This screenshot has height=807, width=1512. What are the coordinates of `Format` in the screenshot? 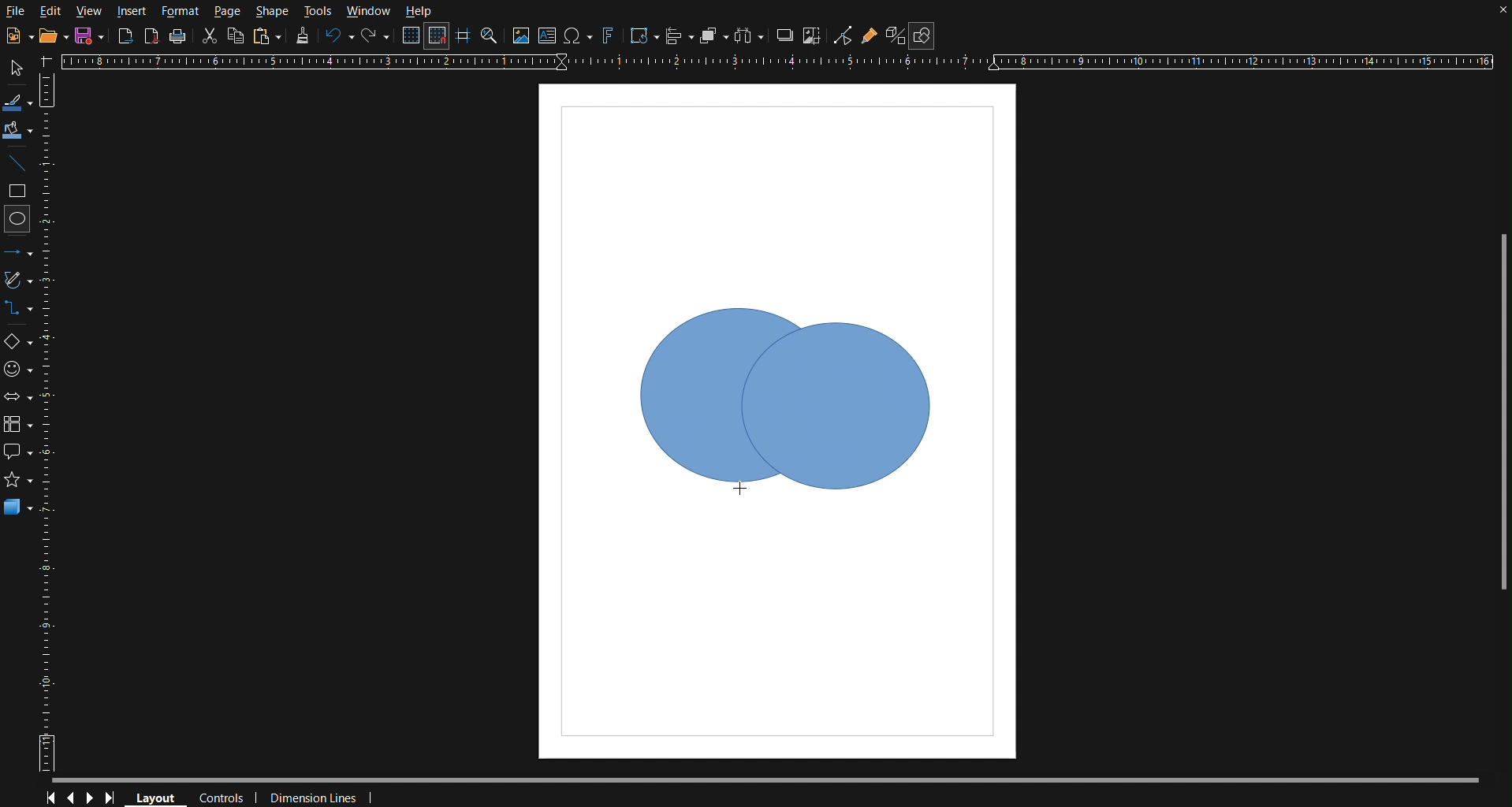 It's located at (184, 9).